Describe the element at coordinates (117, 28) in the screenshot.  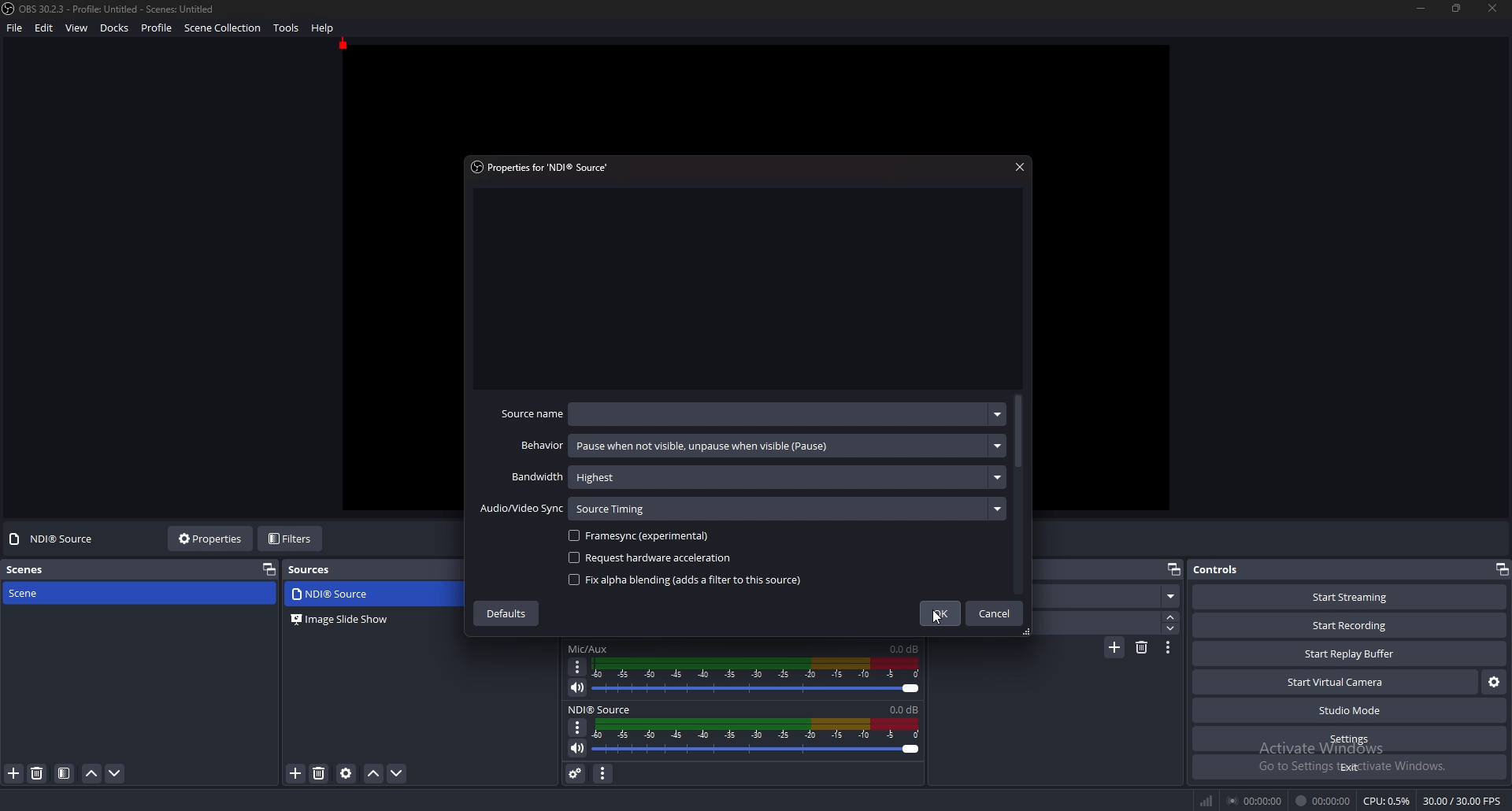
I see `docks` at that location.